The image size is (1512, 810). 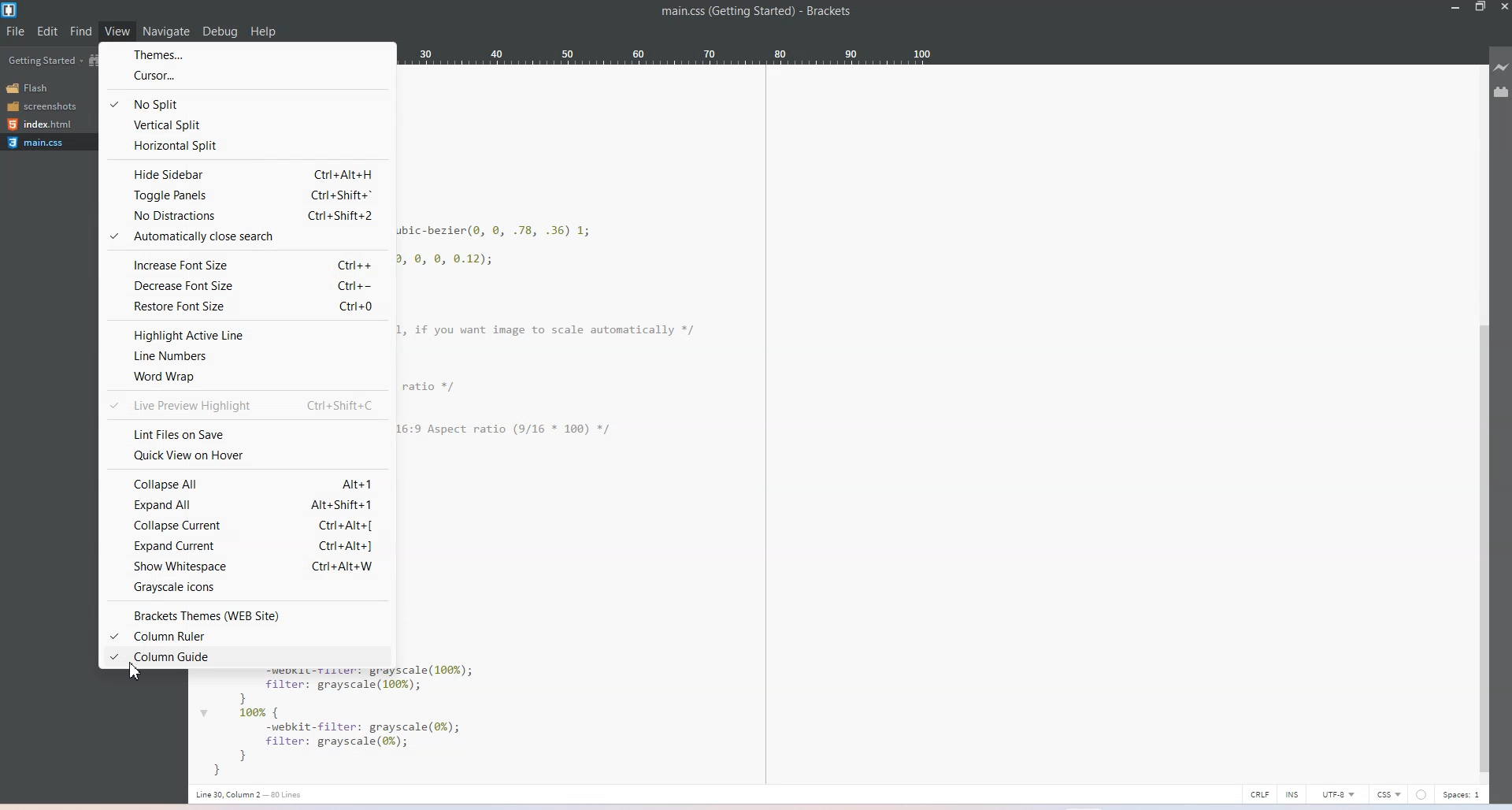 What do you see at coordinates (1502, 67) in the screenshot?
I see `Live Preview` at bounding box center [1502, 67].